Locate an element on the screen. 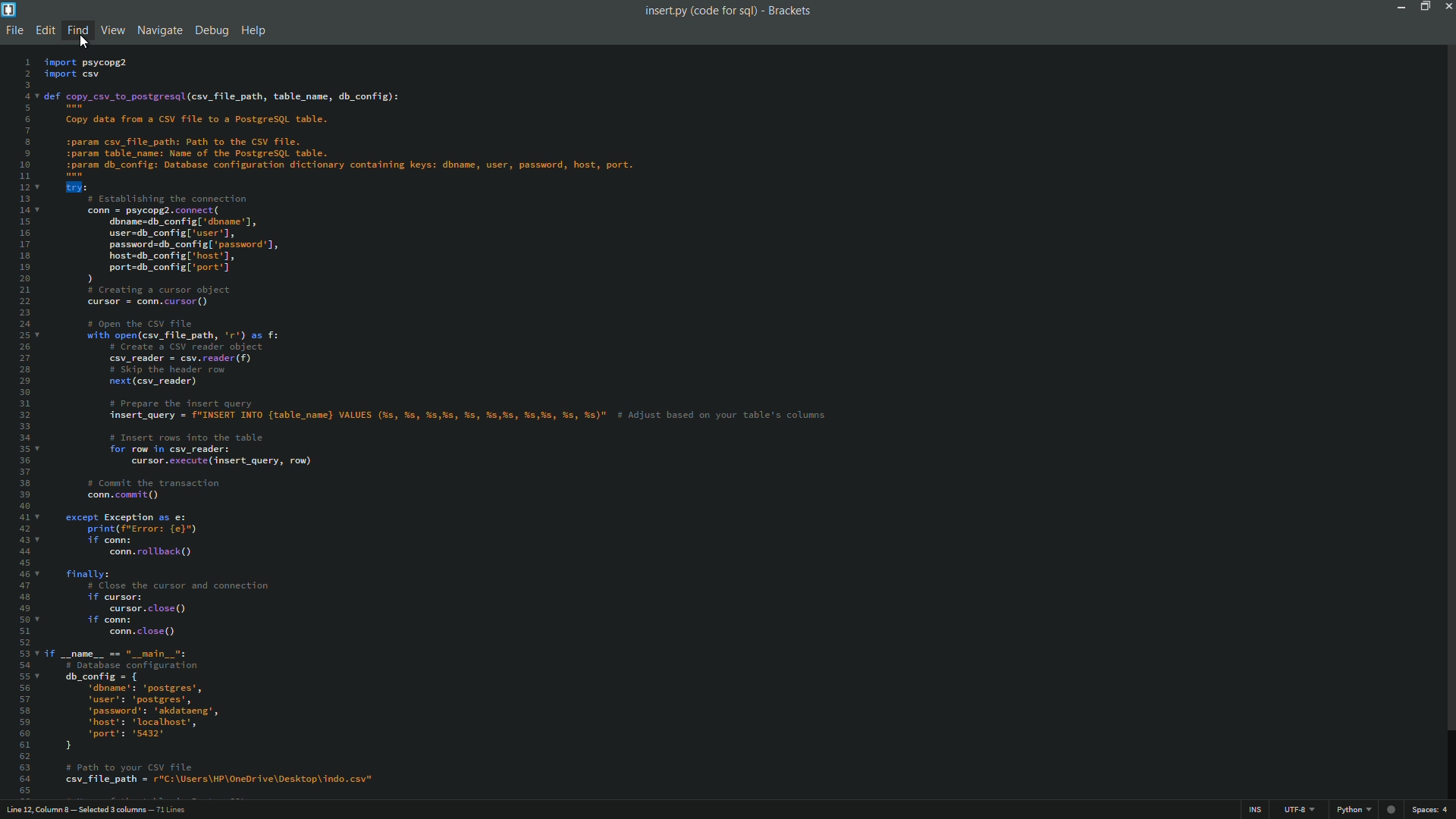  file name is located at coordinates (699, 11).